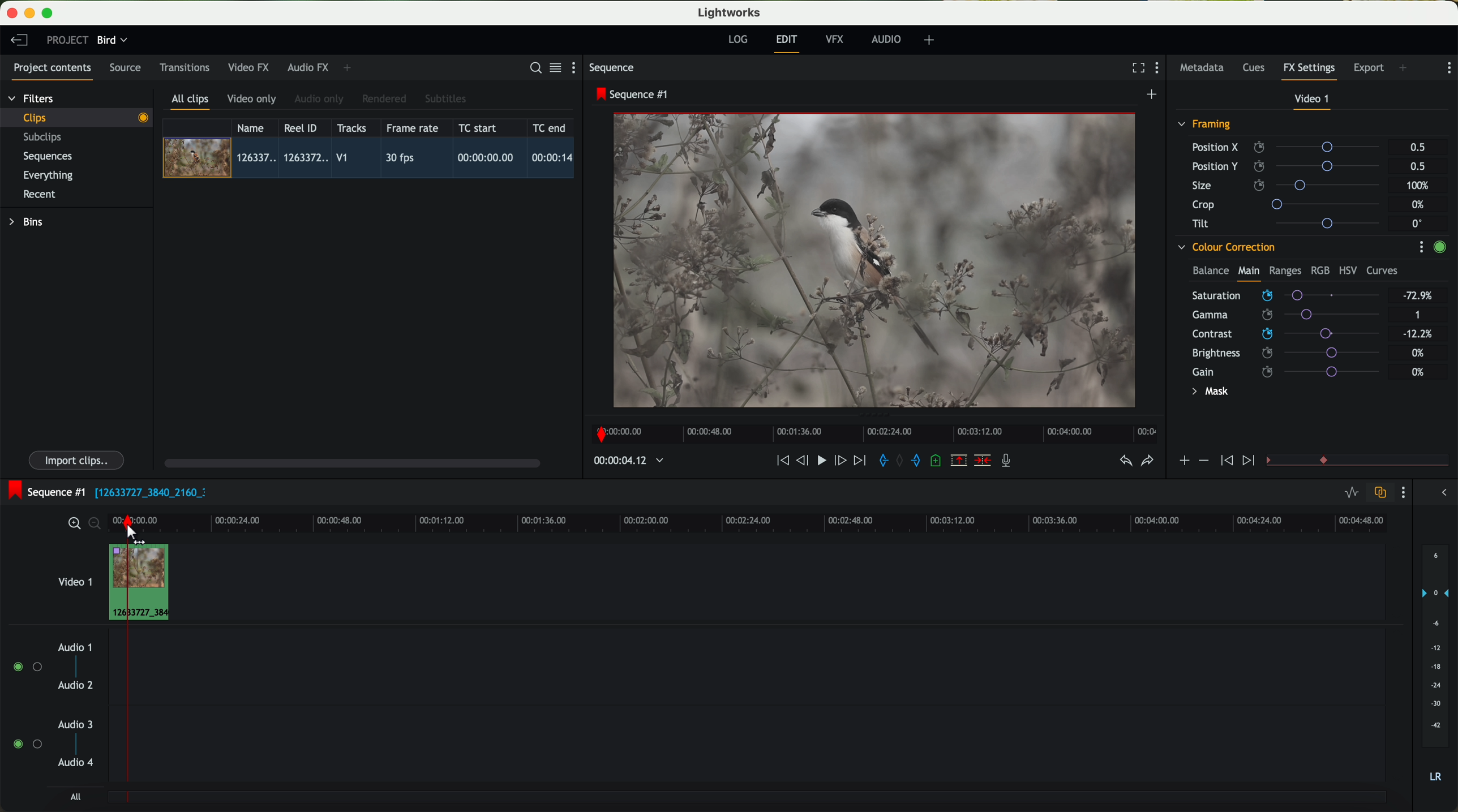  Describe the element at coordinates (886, 39) in the screenshot. I see `audio` at that location.